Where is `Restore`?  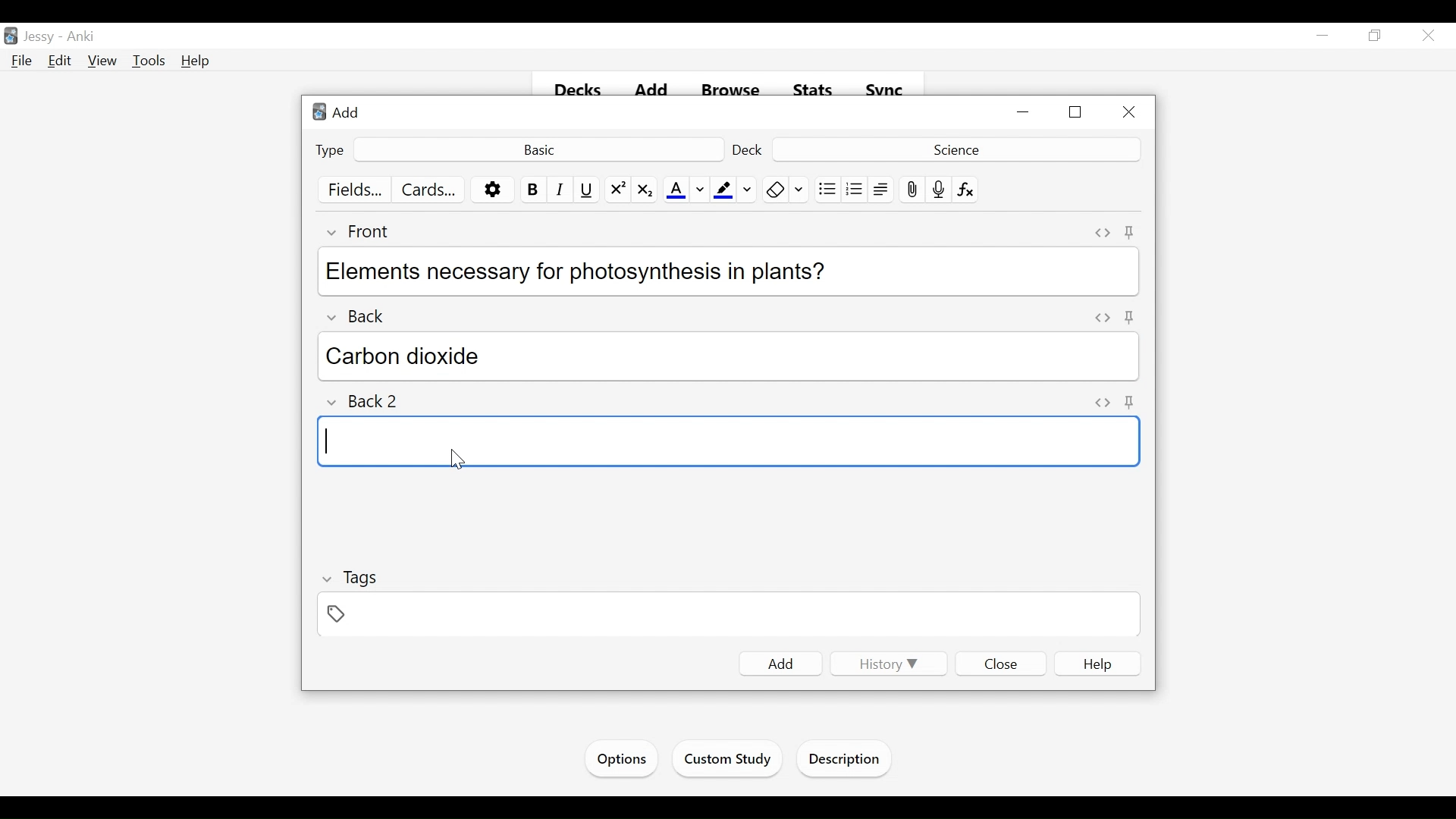
Restore is located at coordinates (1373, 36).